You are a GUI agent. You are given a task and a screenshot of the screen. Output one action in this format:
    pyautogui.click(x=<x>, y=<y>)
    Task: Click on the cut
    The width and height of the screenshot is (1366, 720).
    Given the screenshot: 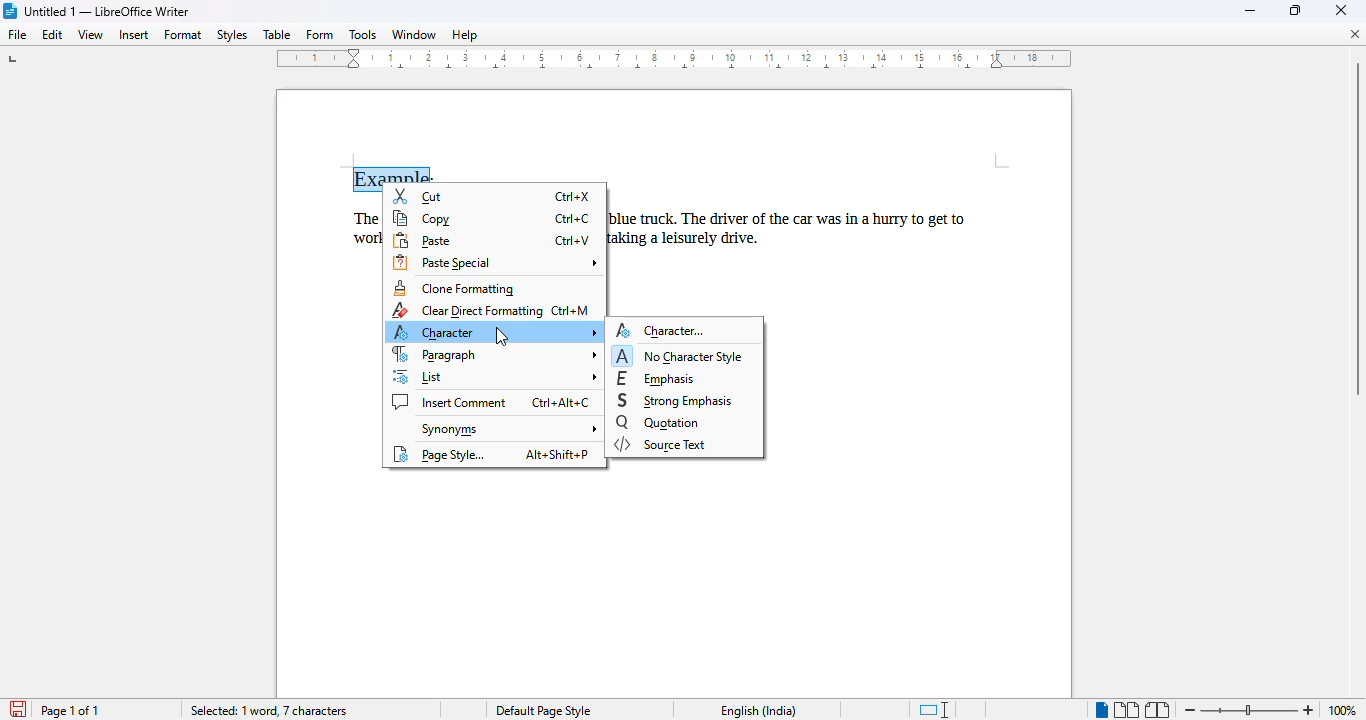 What is the action you would take?
    pyautogui.click(x=421, y=196)
    